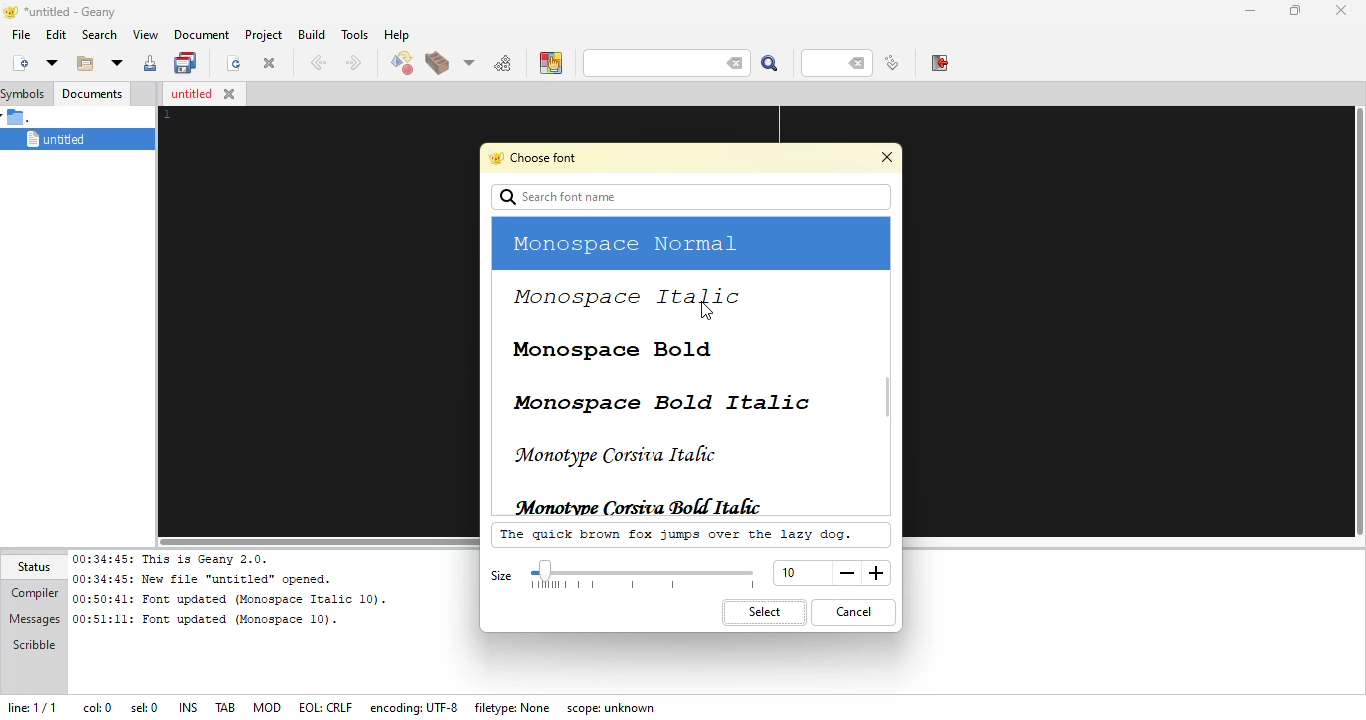 The width and height of the screenshot is (1366, 720). What do you see at coordinates (395, 35) in the screenshot?
I see `help` at bounding box center [395, 35].